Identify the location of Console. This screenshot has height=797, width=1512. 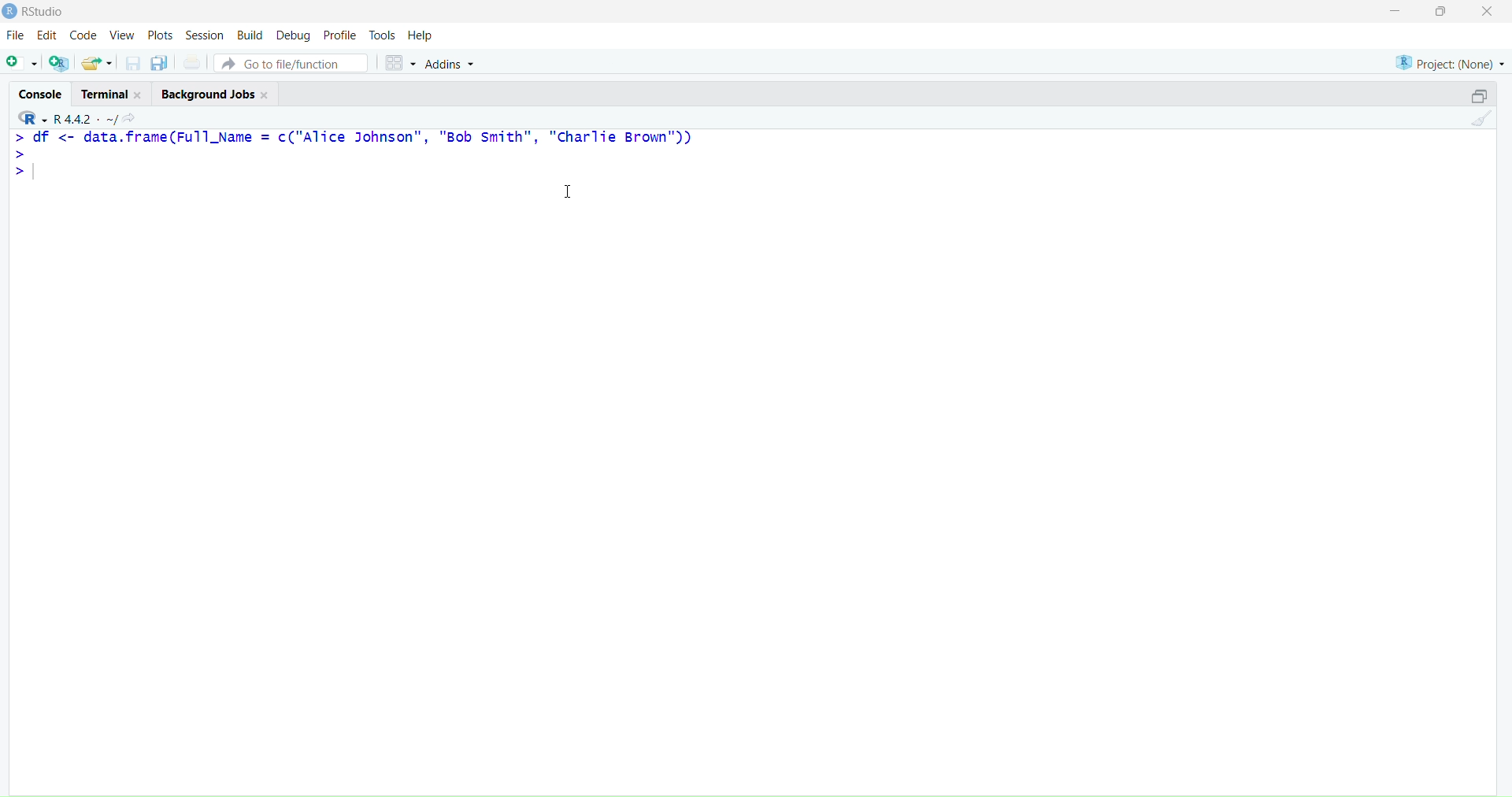
(42, 91).